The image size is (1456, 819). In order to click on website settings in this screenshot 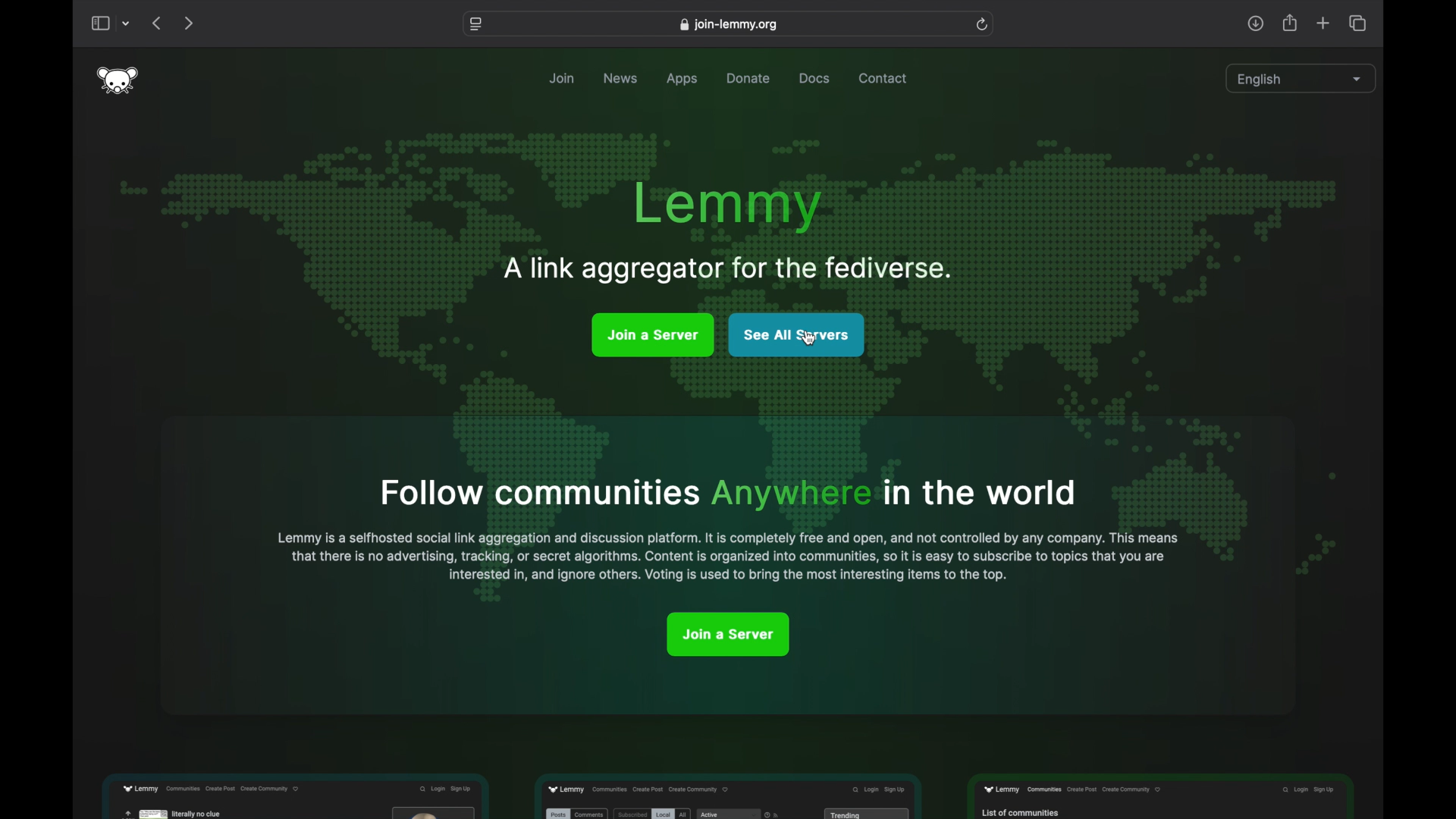, I will do `click(475, 24)`.